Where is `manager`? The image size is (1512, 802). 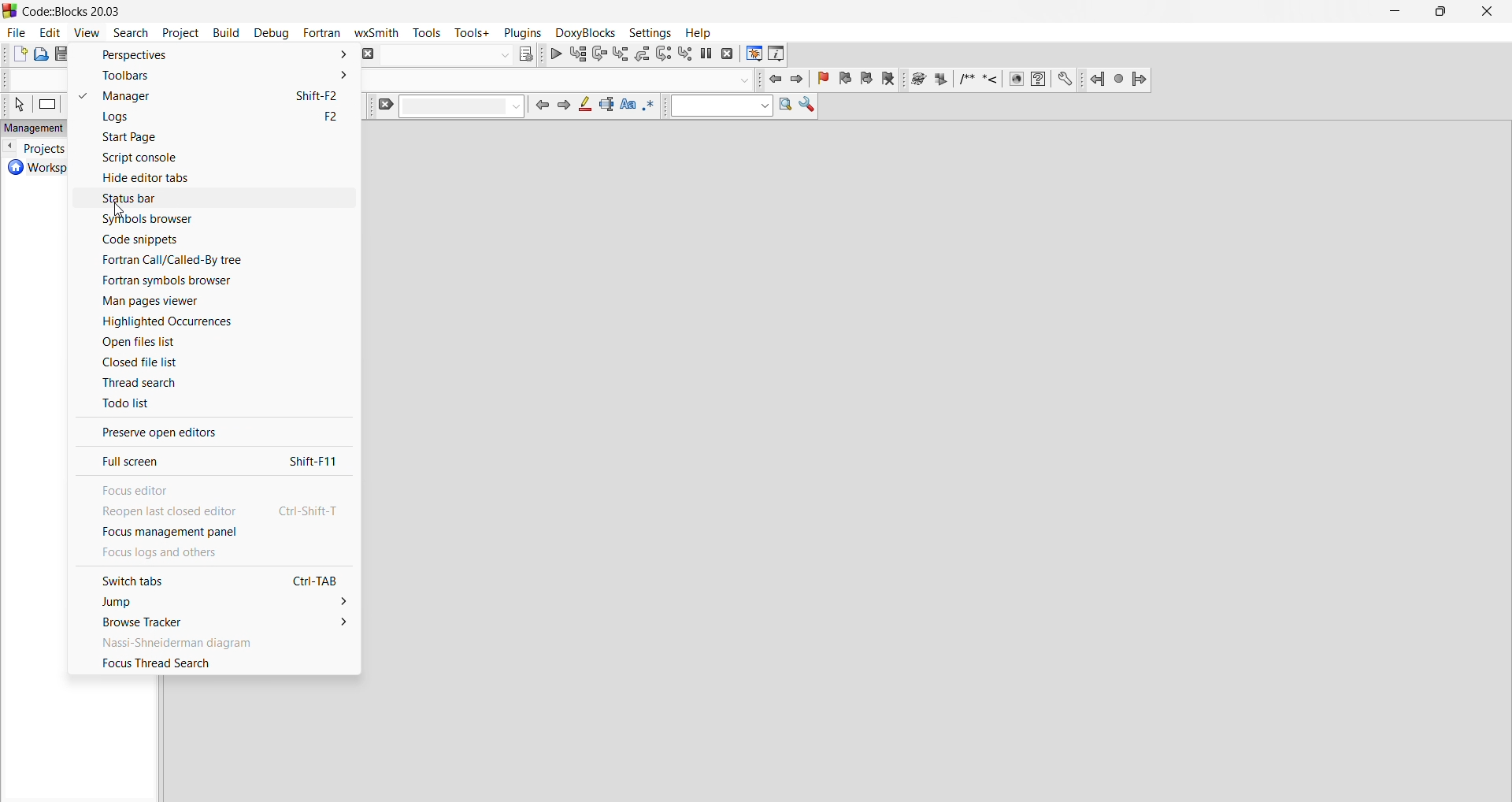 manager is located at coordinates (212, 97).